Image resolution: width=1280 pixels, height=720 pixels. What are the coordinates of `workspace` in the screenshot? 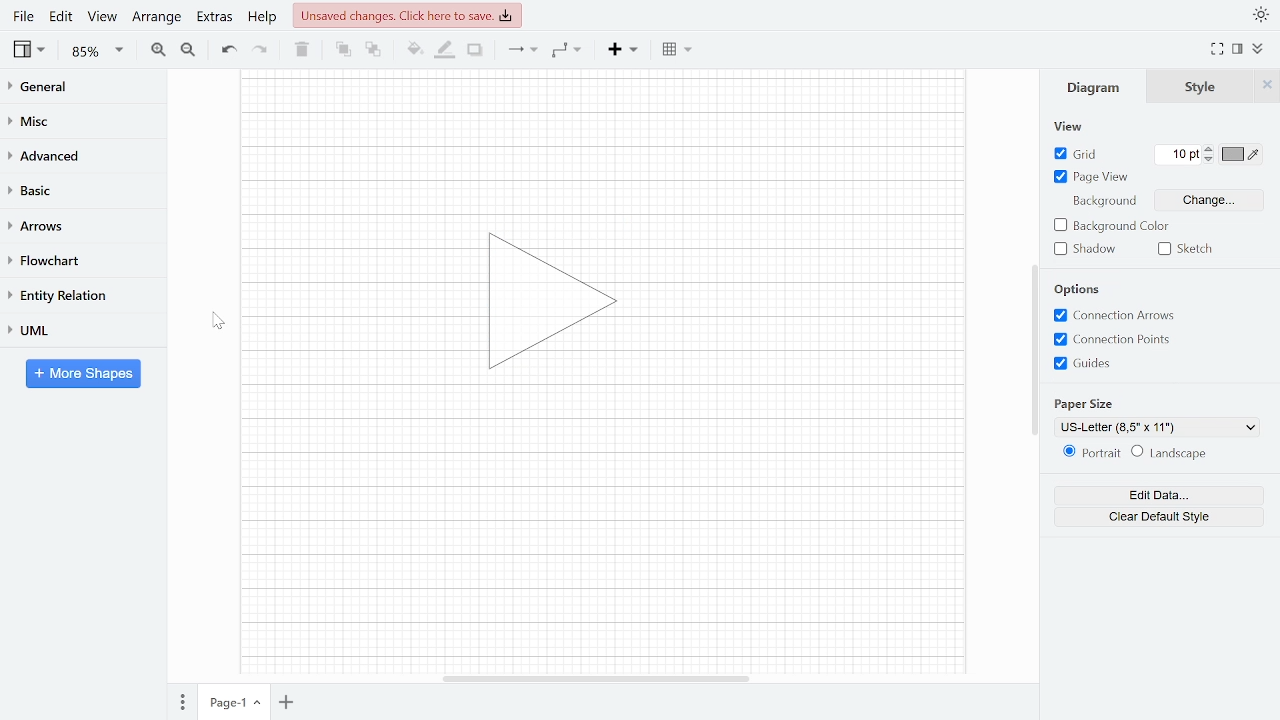 It's located at (819, 302).